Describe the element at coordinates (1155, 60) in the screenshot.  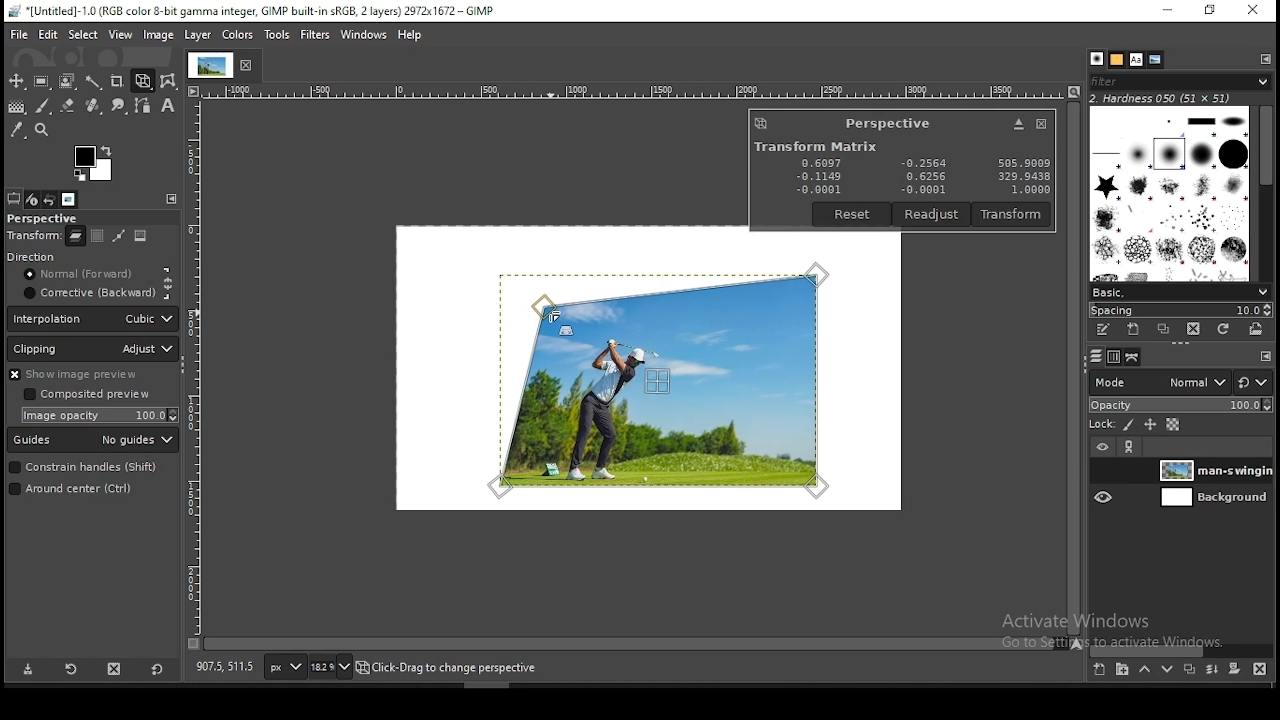
I see `document history` at that location.